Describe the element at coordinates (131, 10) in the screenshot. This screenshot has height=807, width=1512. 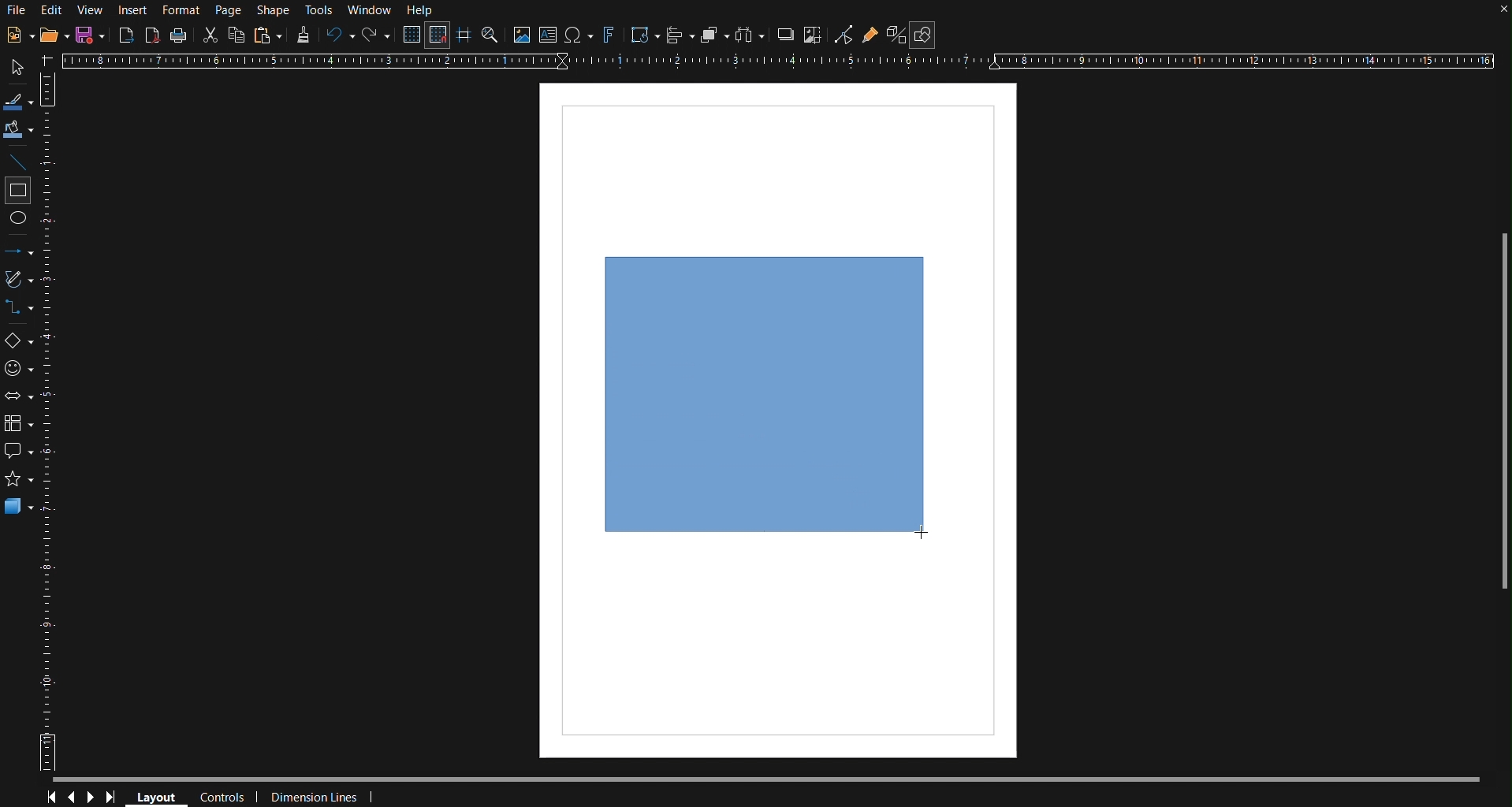
I see `Insert` at that location.